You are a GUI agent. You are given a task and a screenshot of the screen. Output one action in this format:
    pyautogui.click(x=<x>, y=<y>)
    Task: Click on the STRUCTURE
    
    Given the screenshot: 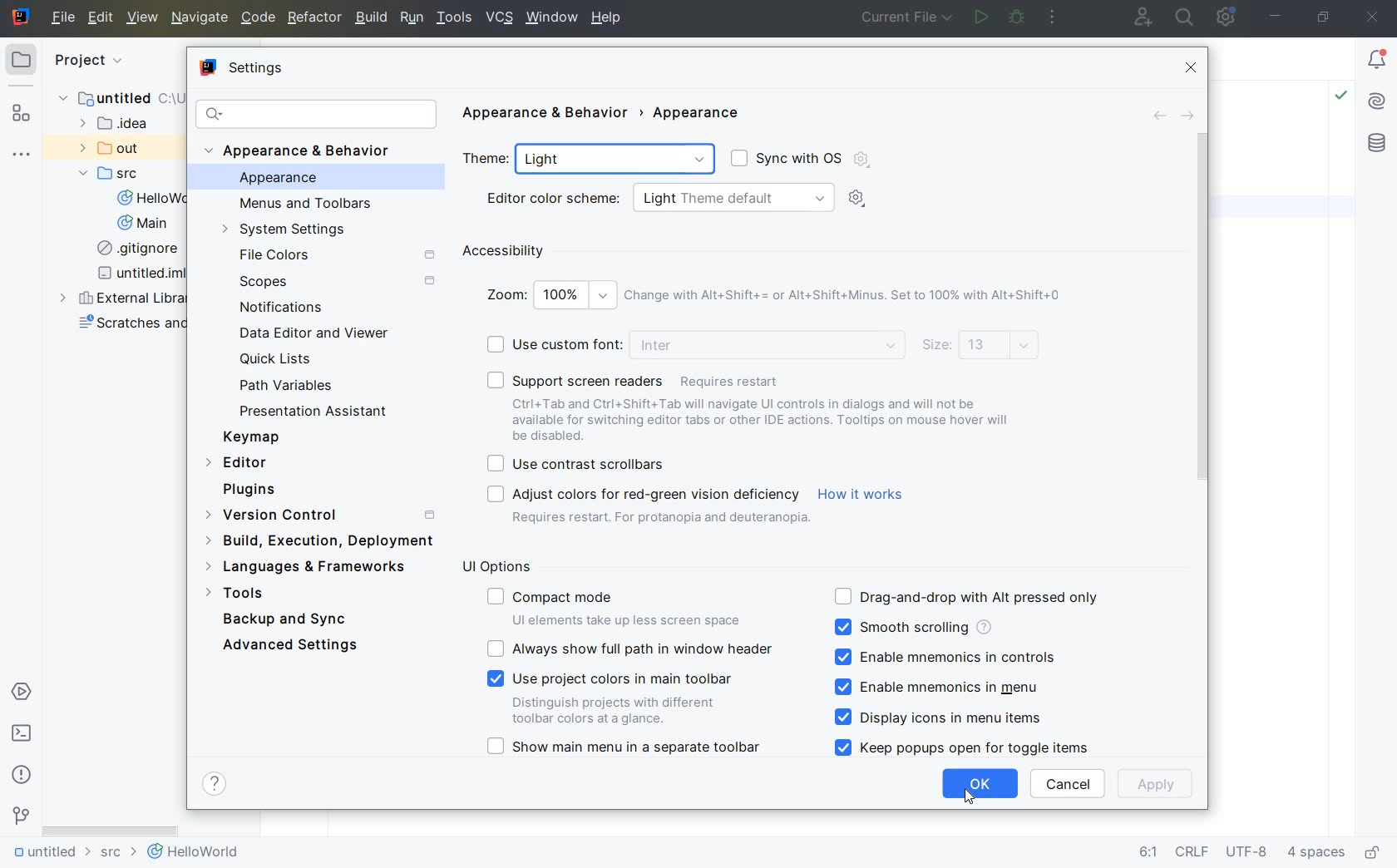 What is the action you would take?
    pyautogui.click(x=21, y=113)
    